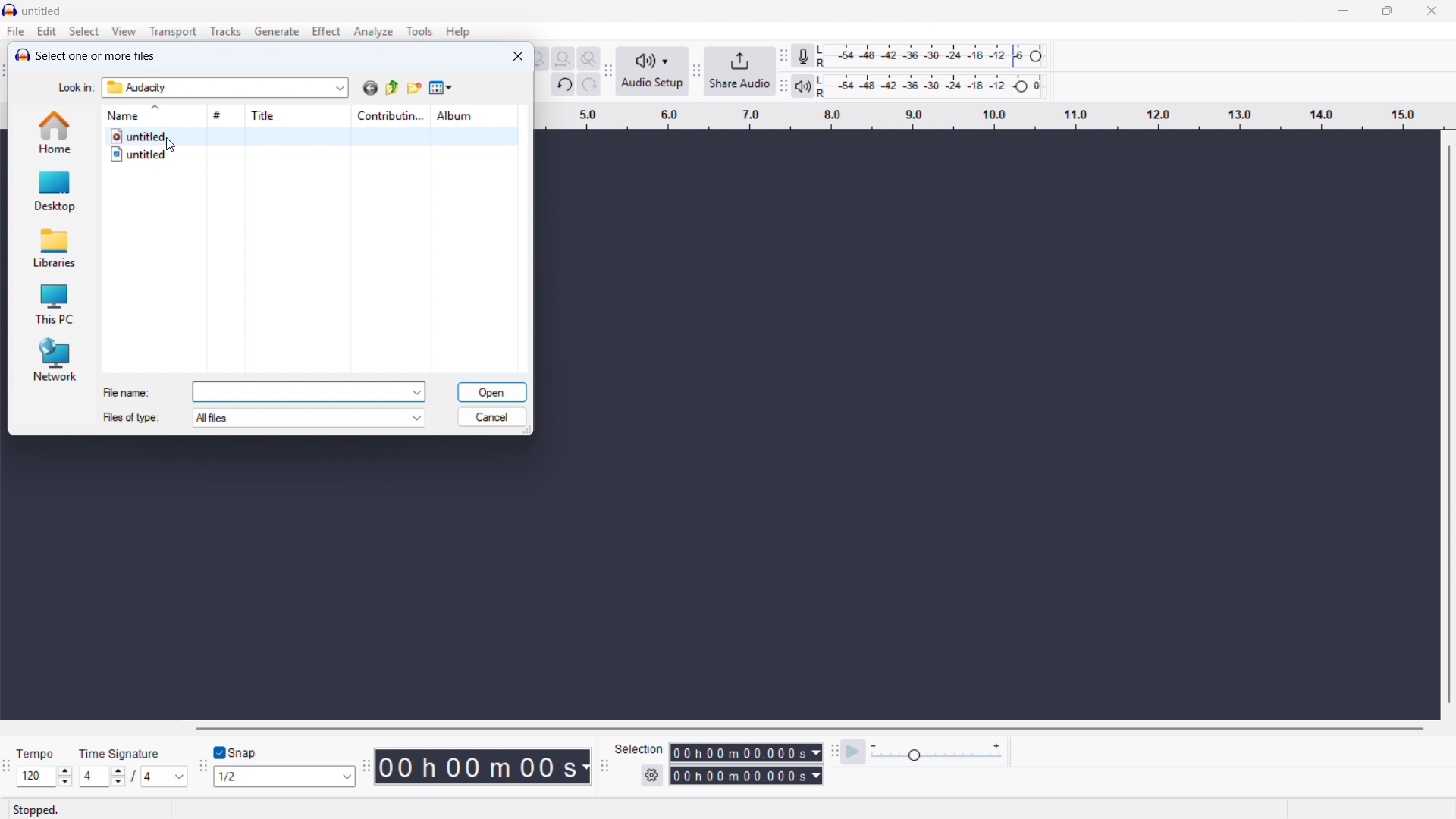  Describe the element at coordinates (563, 85) in the screenshot. I see `Undo` at that location.